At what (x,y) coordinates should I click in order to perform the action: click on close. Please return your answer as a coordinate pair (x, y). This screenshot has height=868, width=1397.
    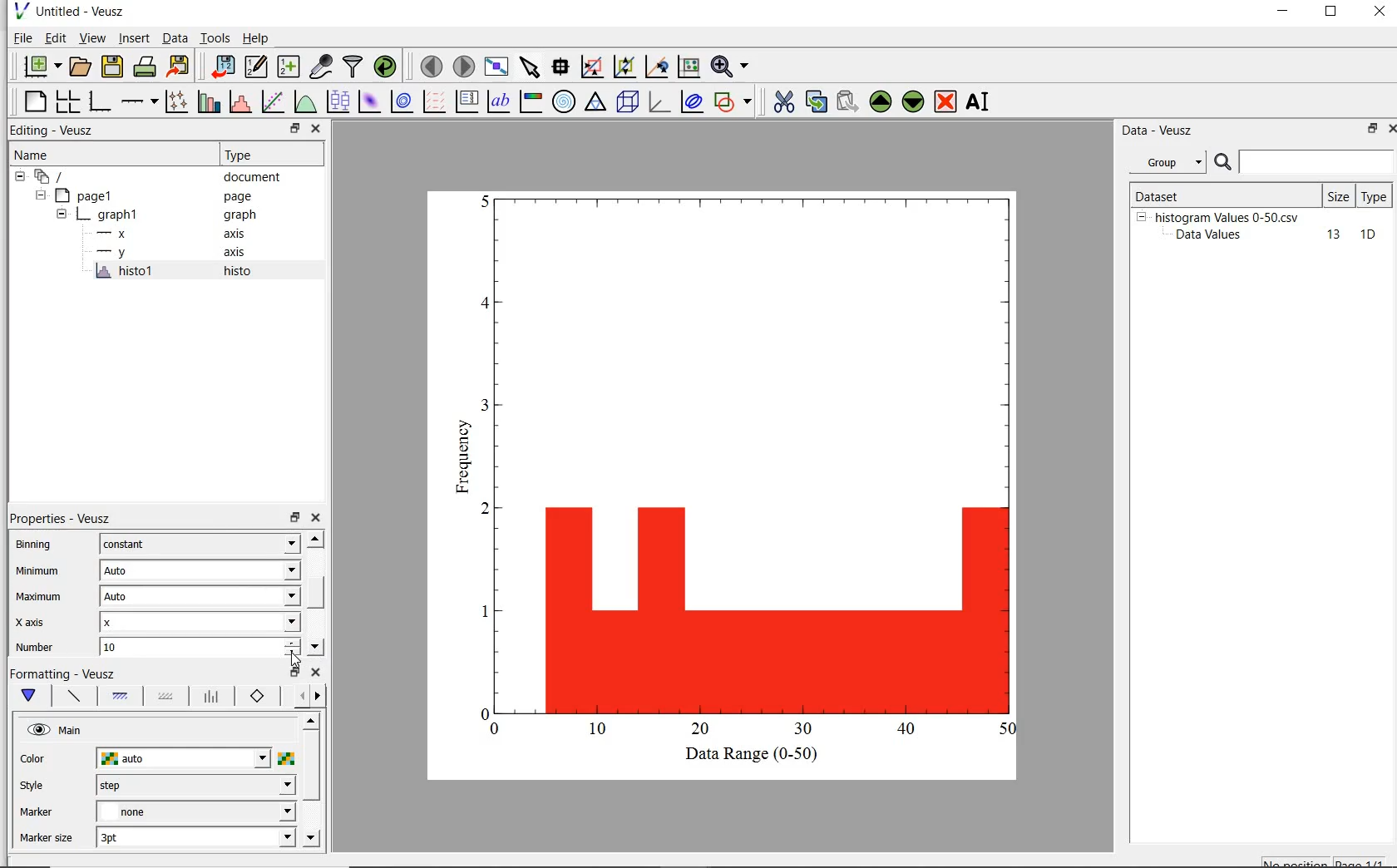
    Looking at the image, I should click on (317, 129).